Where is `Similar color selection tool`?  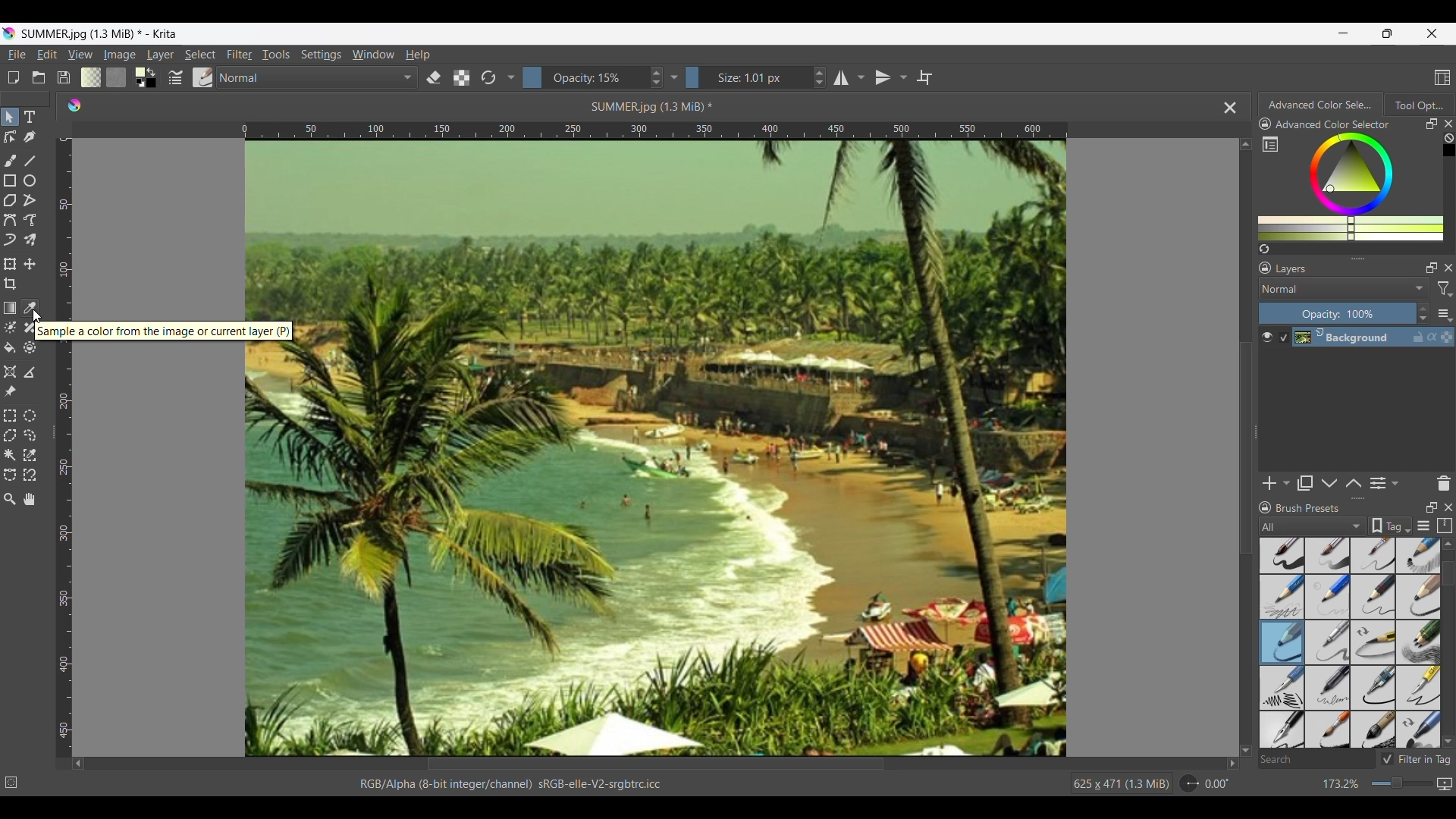 Similar color selection tool is located at coordinates (29, 455).